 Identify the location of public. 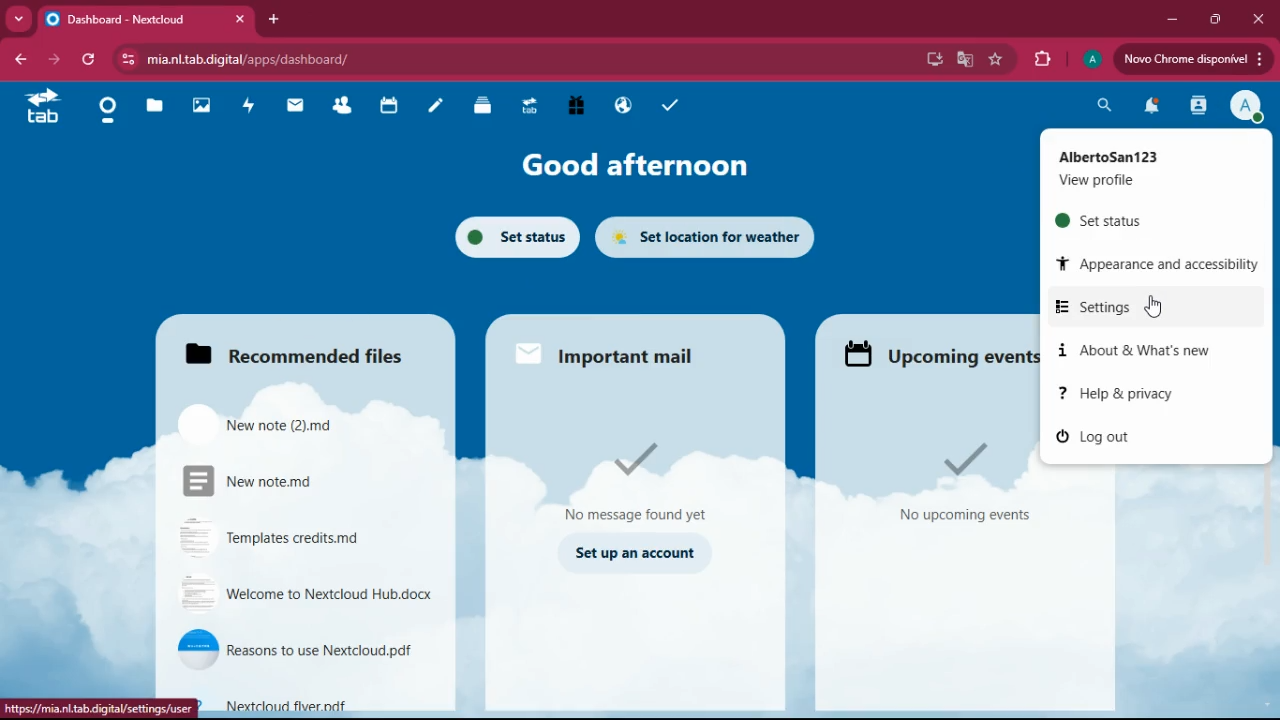
(624, 106).